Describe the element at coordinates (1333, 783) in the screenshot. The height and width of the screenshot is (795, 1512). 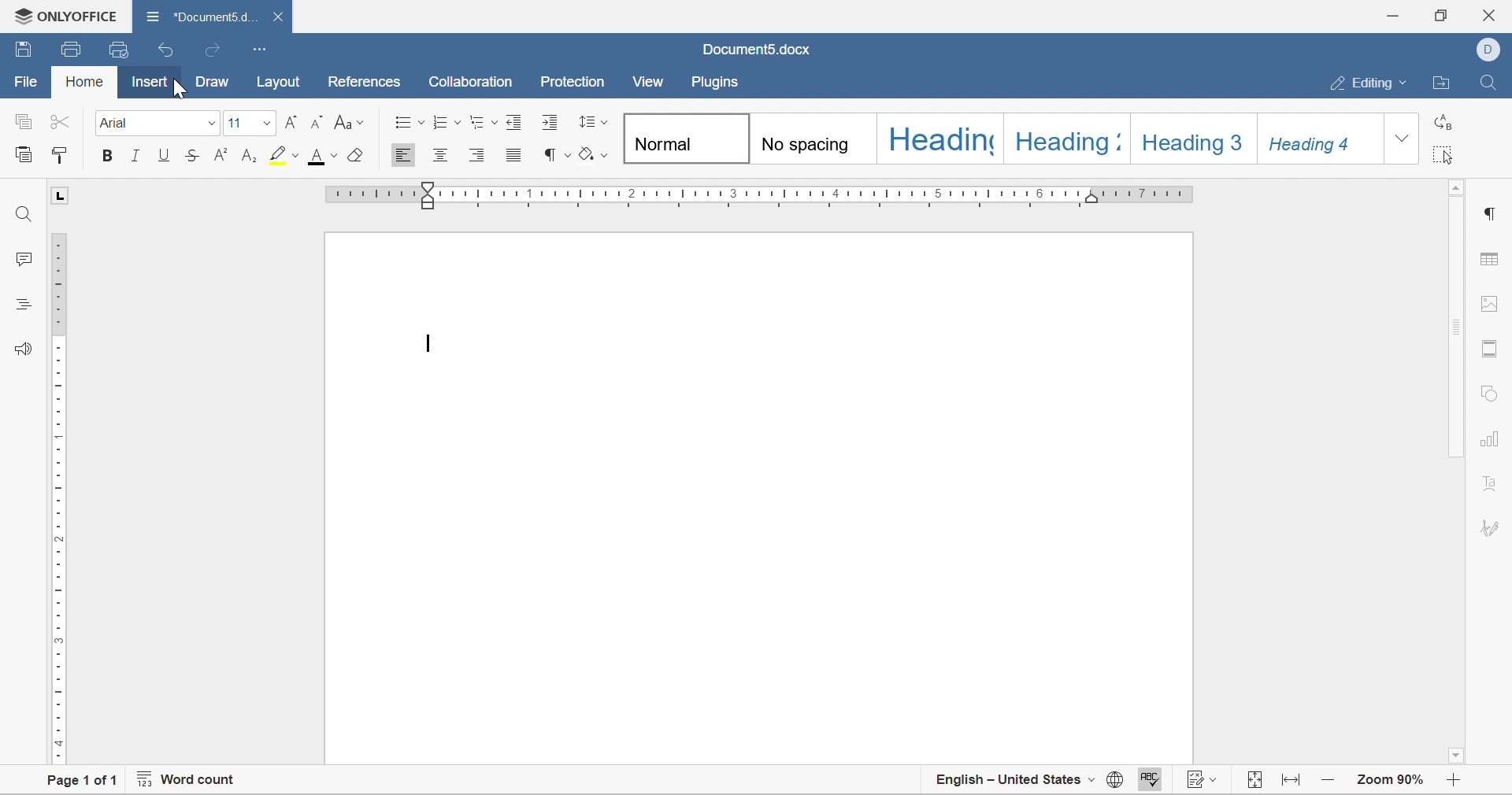
I see `zoom in` at that location.